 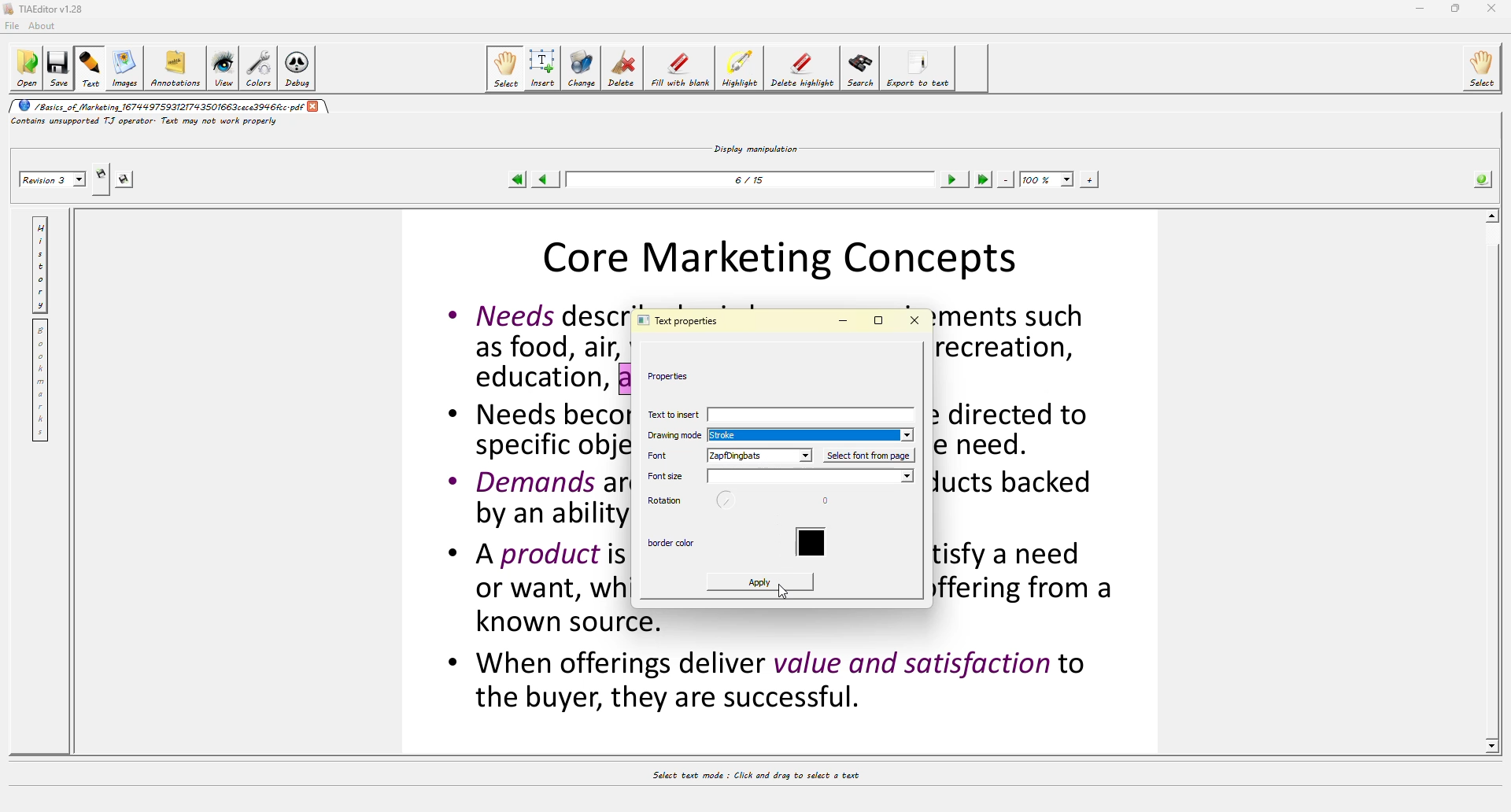 What do you see at coordinates (740, 71) in the screenshot?
I see `highlight` at bounding box center [740, 71].